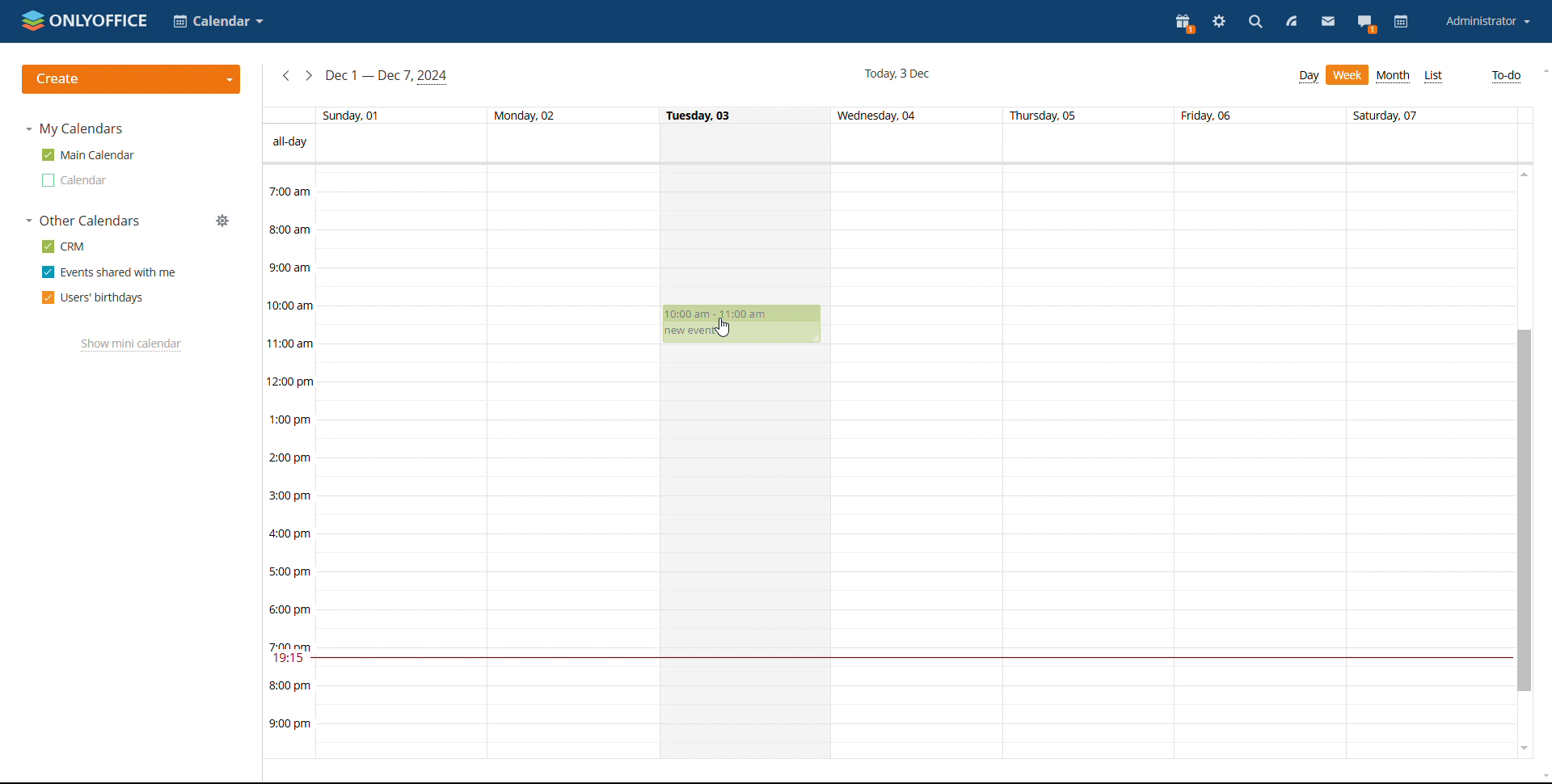  What do you see at coordinates (1366, 23) in the screenshot?
I see `chat` at bounding box center [1366, 23].